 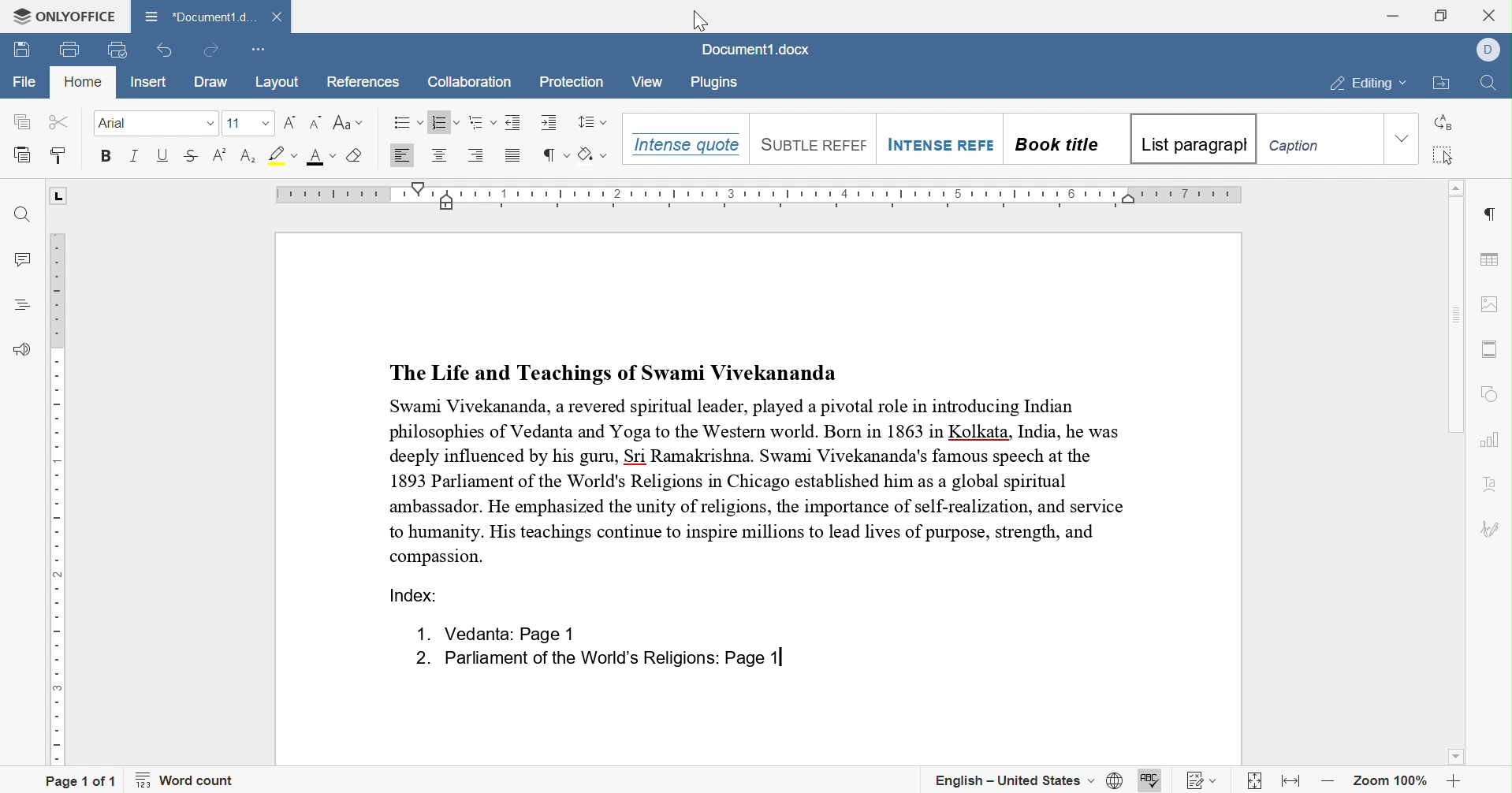 I want to click on font size, so click(x=237, y=124).